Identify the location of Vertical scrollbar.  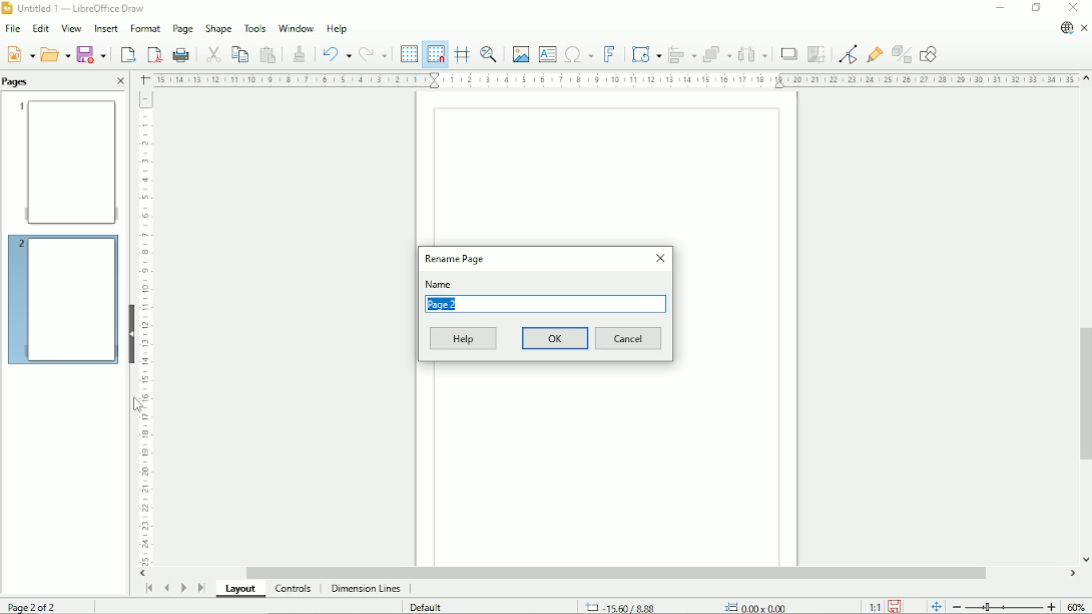
(1082, 395).